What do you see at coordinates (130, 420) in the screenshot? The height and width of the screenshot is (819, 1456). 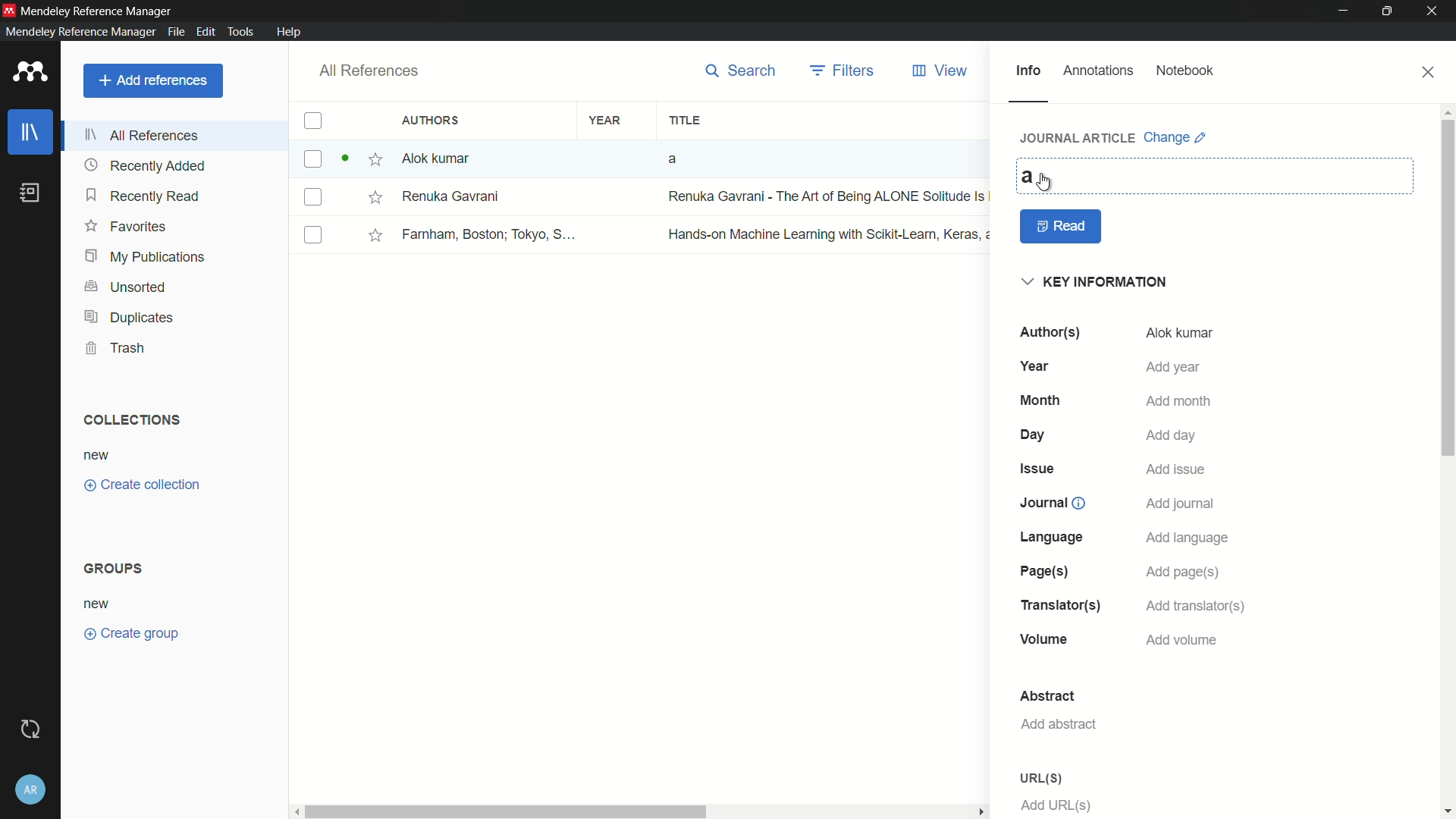 I see `collections` at bounding box center [130, 420].